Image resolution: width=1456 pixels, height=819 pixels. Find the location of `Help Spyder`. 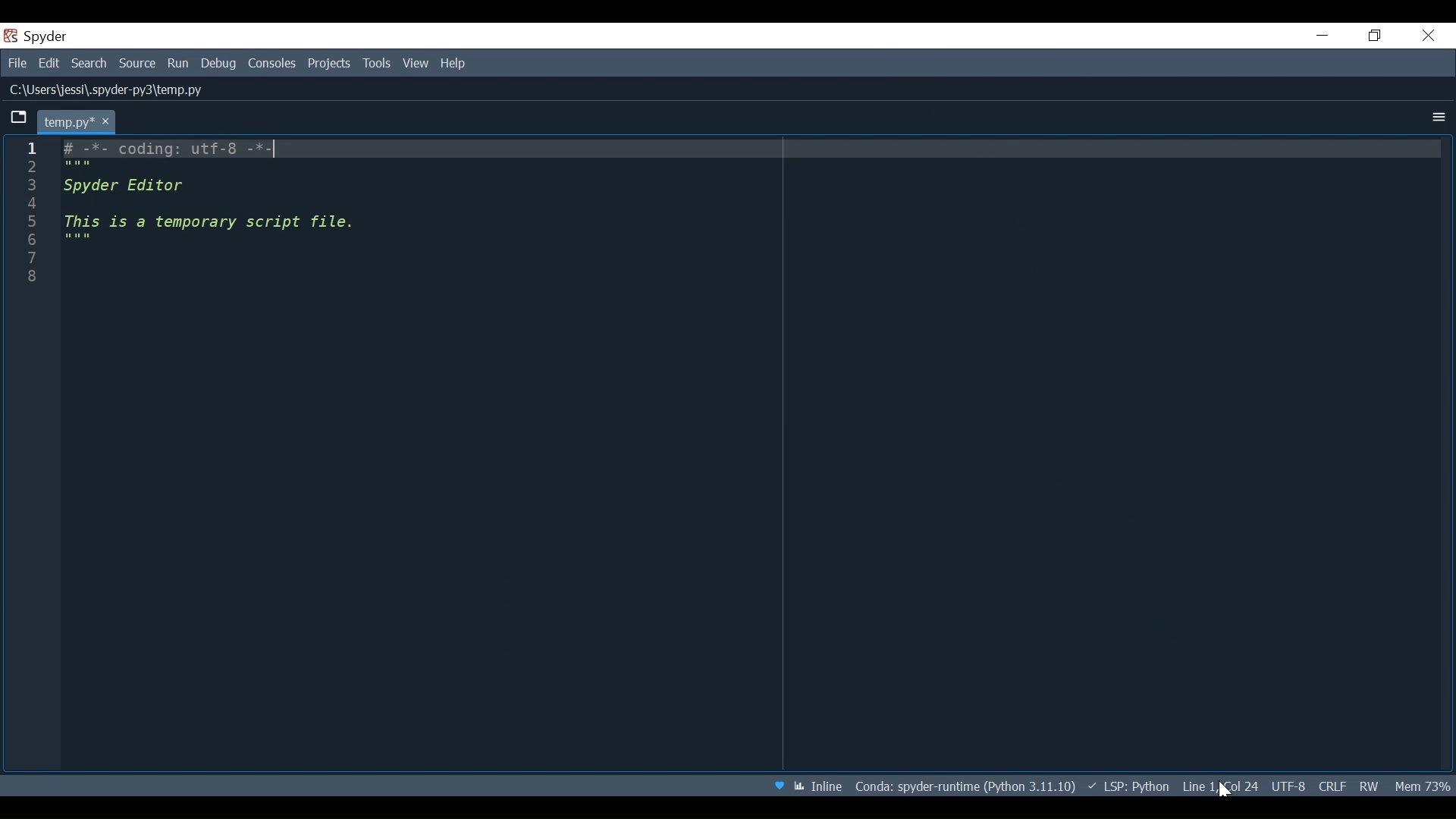

Help Spyder is located at coordinates (777, 784).